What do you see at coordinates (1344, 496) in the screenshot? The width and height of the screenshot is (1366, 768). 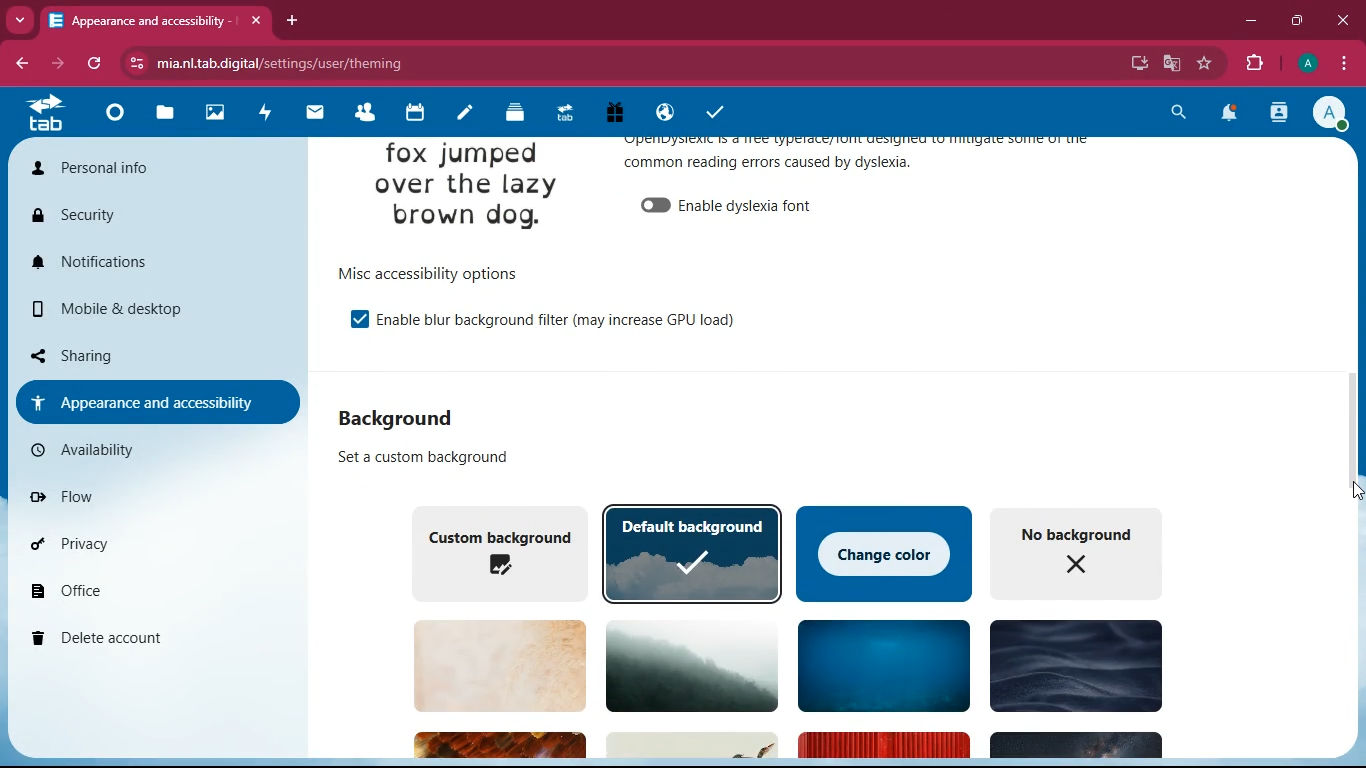 I see `Cursor` at bounding box center [1344, 496].